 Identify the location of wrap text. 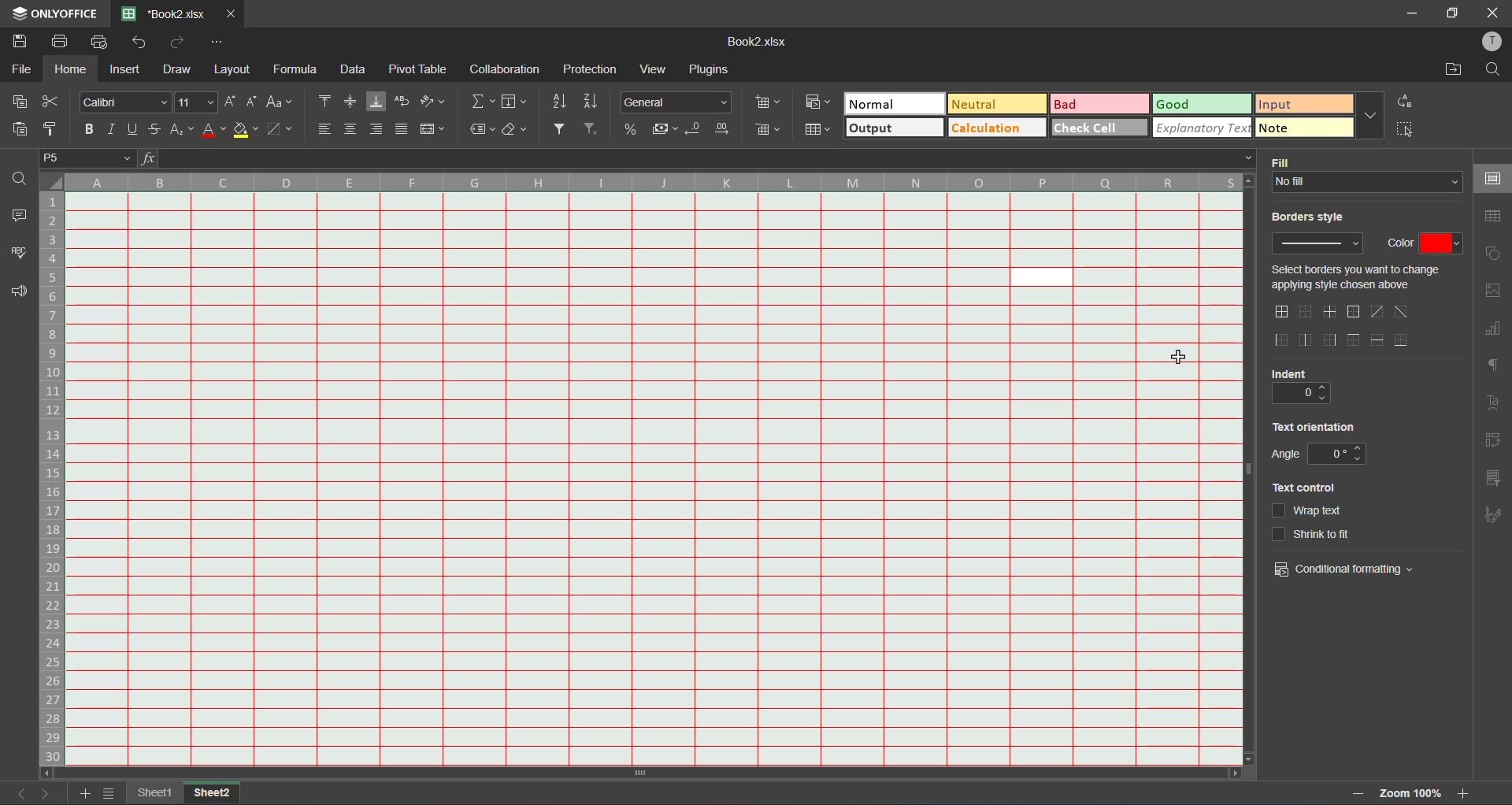
(1308, 510).